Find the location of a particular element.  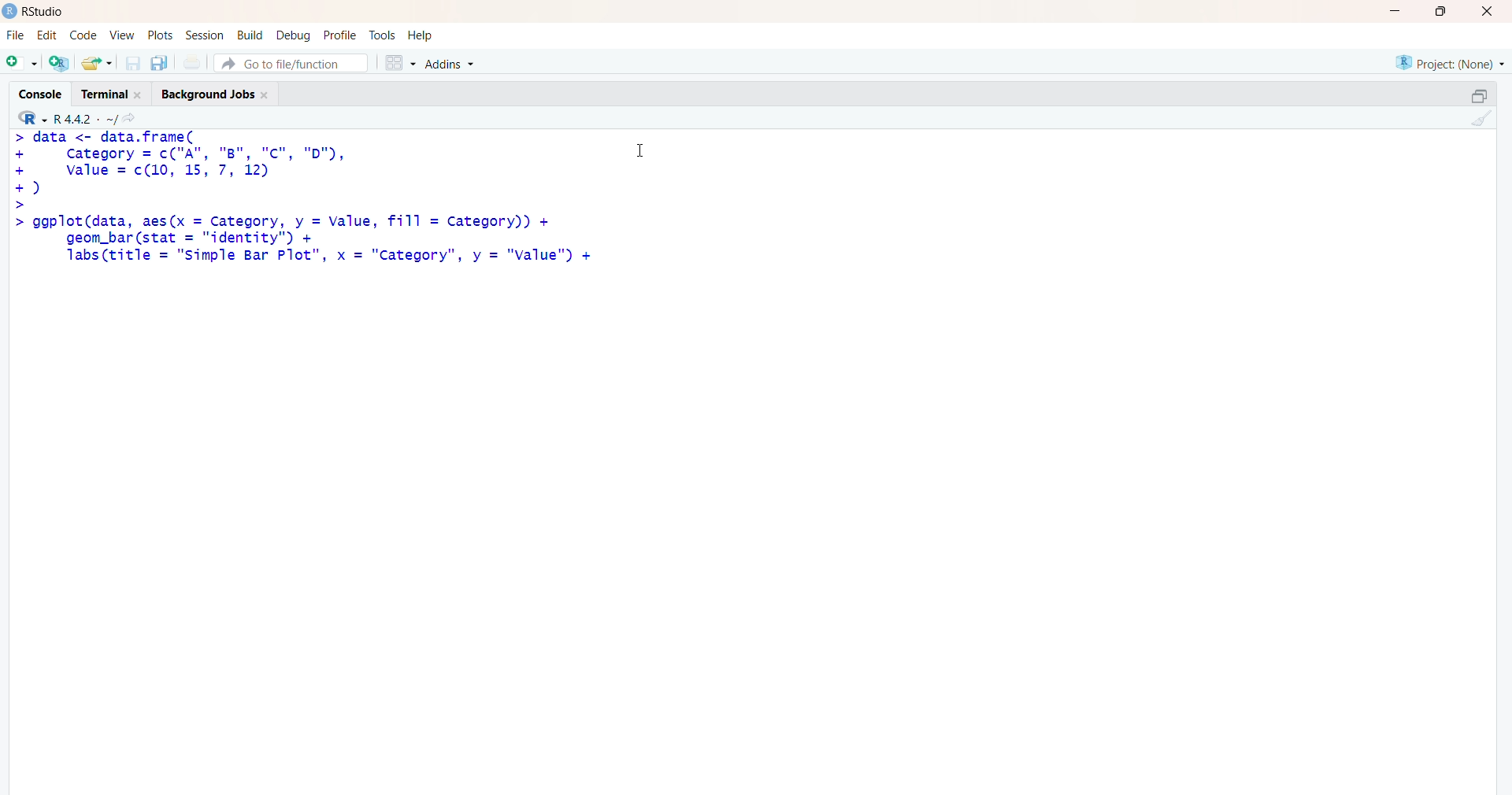

save all open documents is located at coordinates (158, 63).